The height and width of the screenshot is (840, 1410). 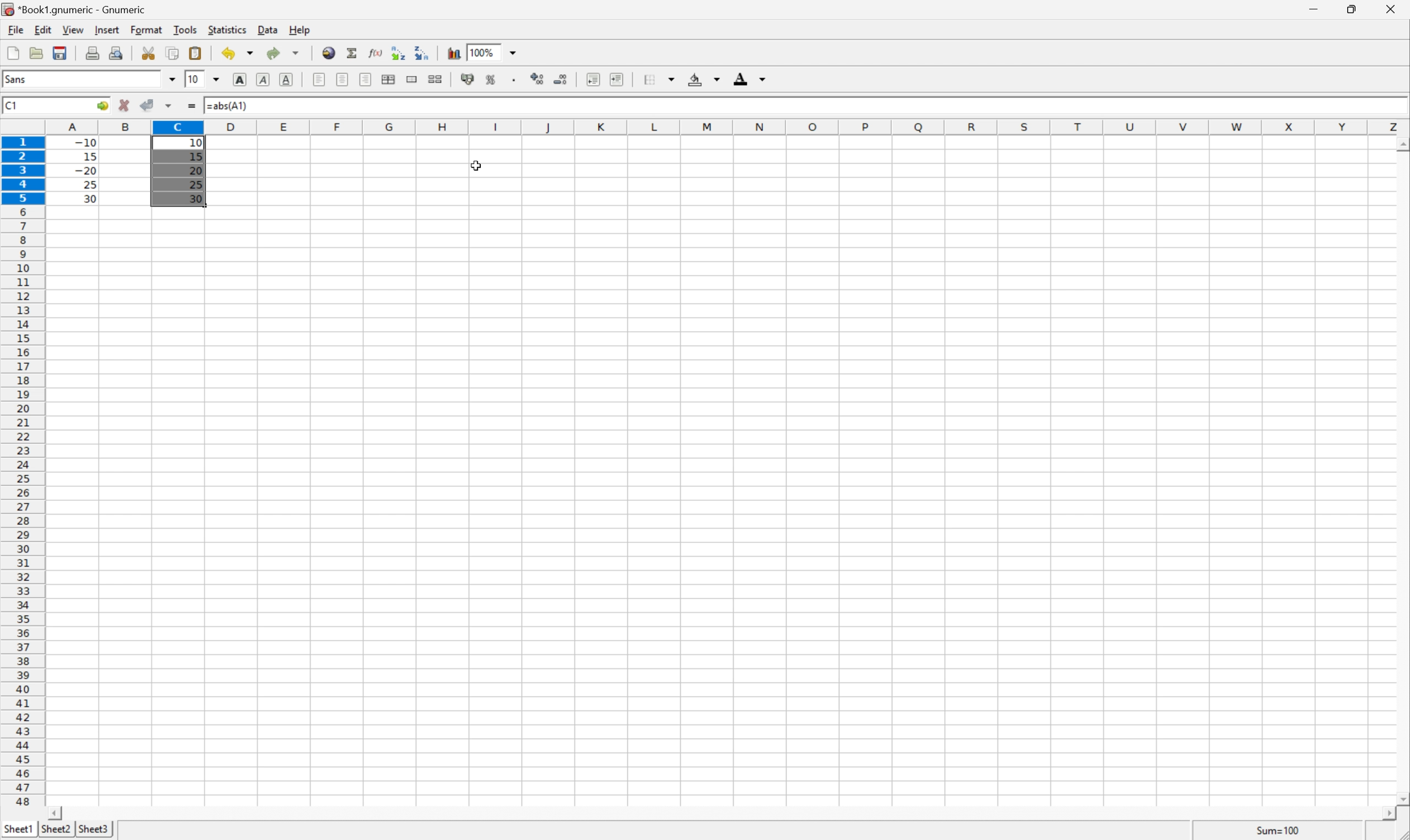 What do you see at coordinates (454, 52) in the screenshot?
I see `Insert chart` at bounding box center [454, 52].